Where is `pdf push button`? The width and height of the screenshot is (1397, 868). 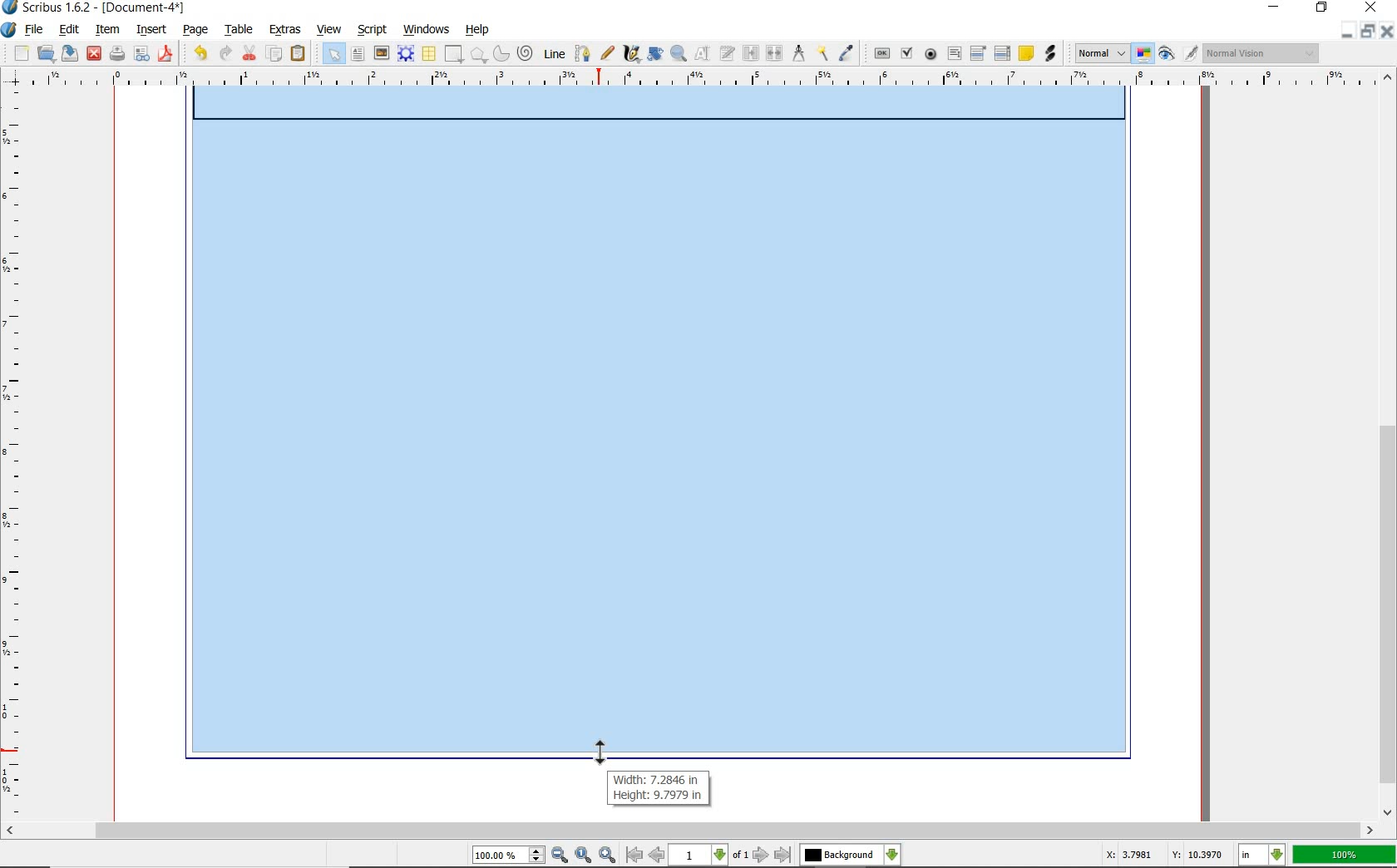
pdf push button is located at coordinates (879, 52).